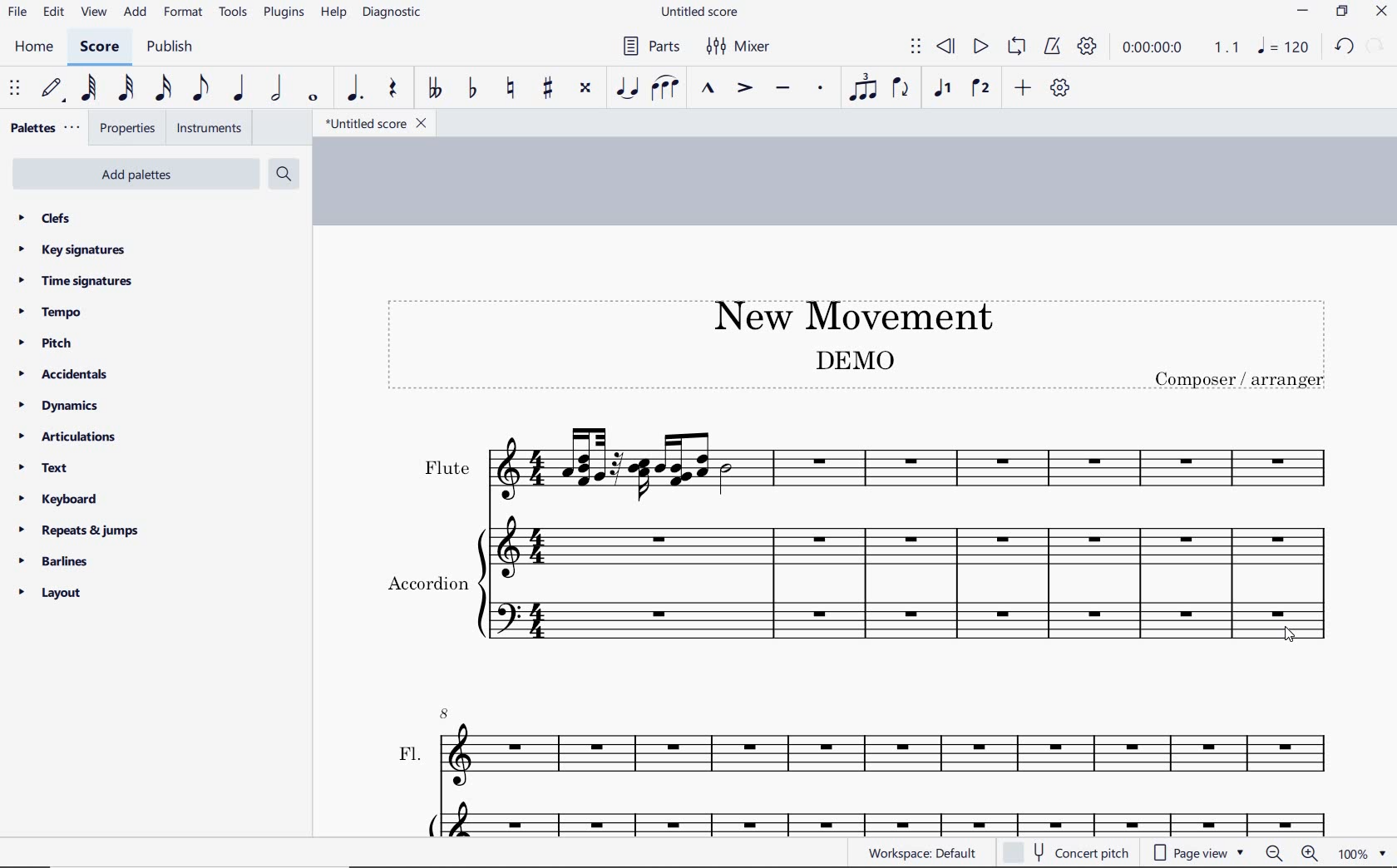  I want to click on metronome, so click(1051, 47).